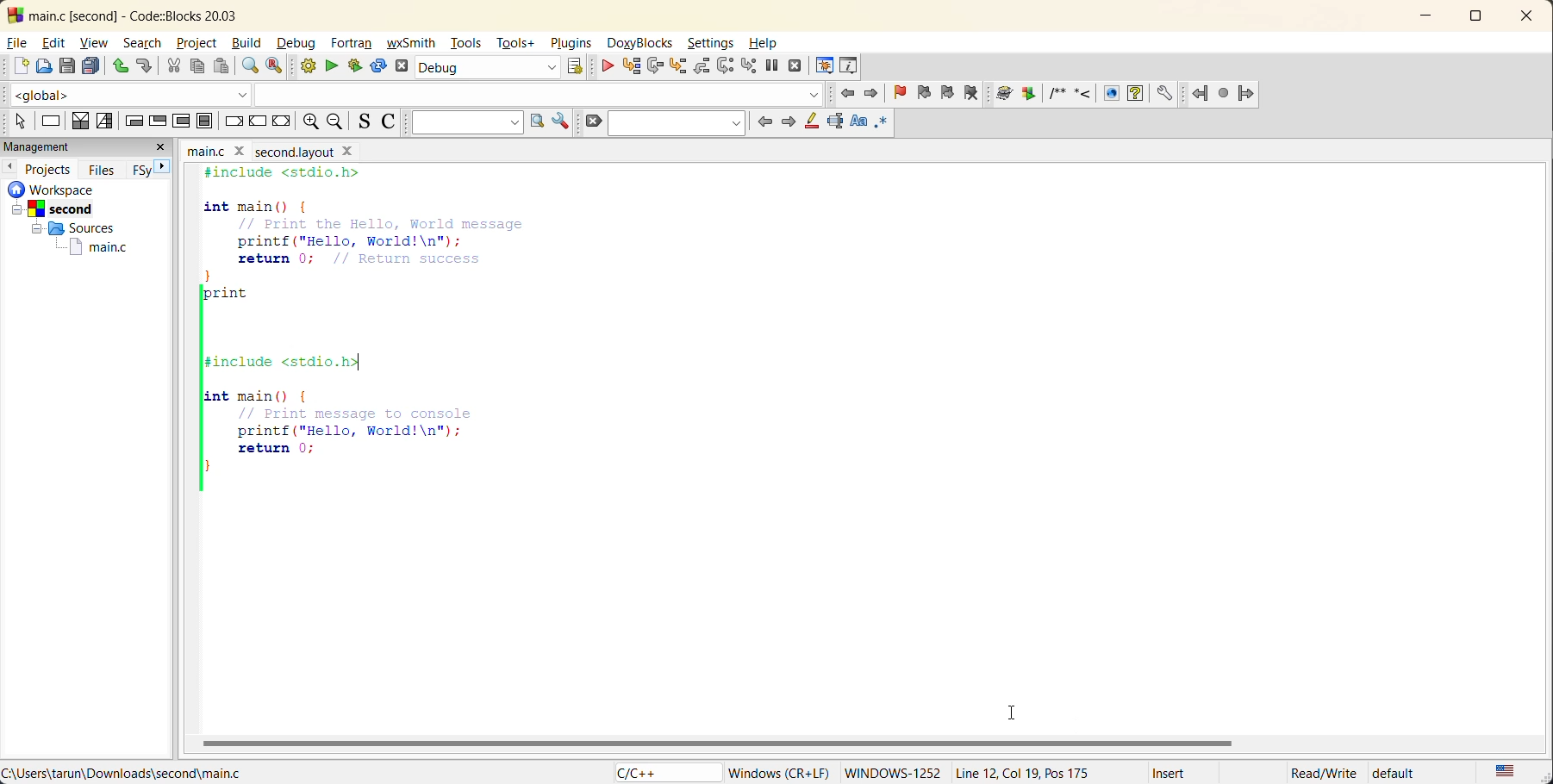  I want to click on toggle comments, so click(388, 124).